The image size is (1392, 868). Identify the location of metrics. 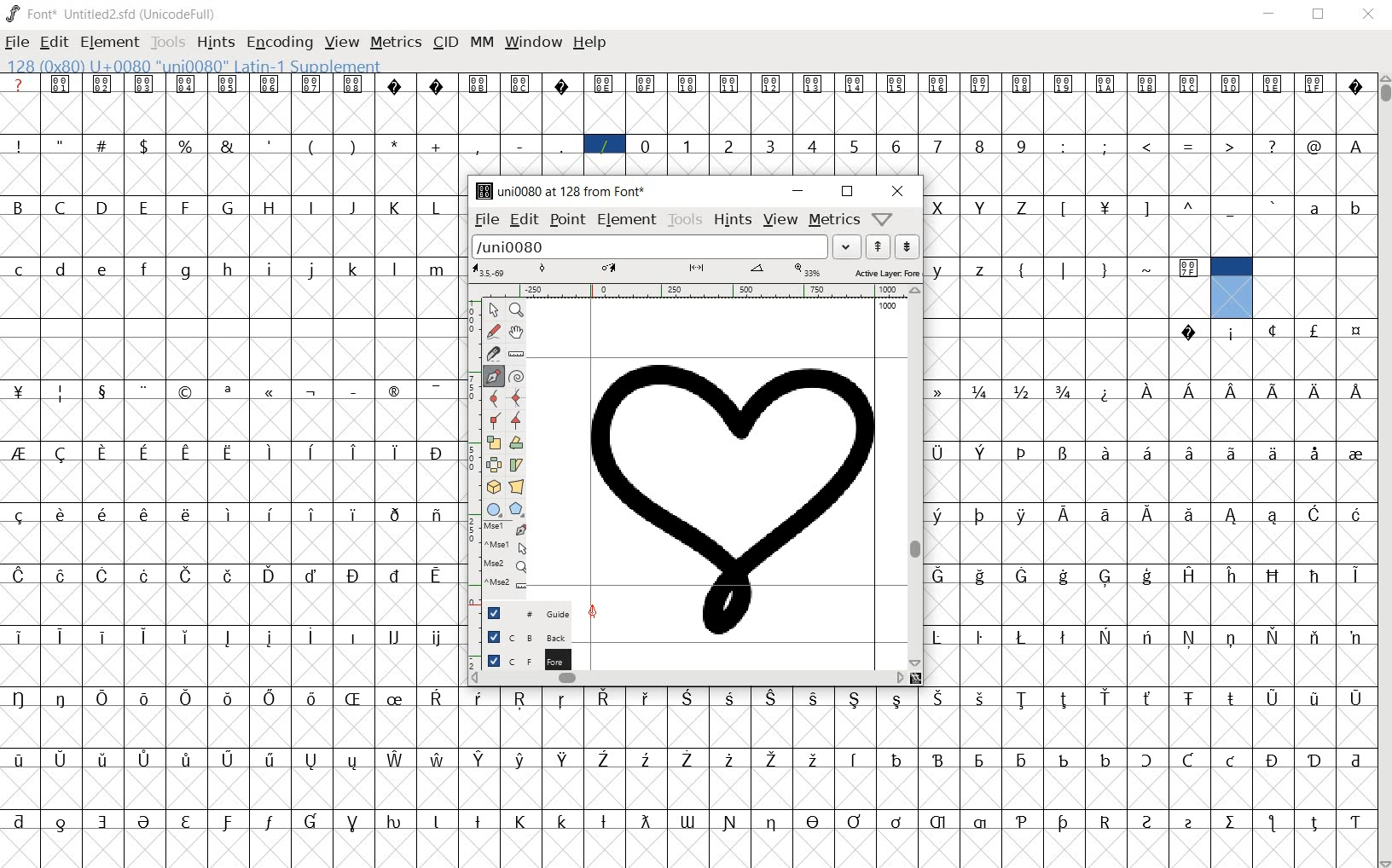
(832, 219).